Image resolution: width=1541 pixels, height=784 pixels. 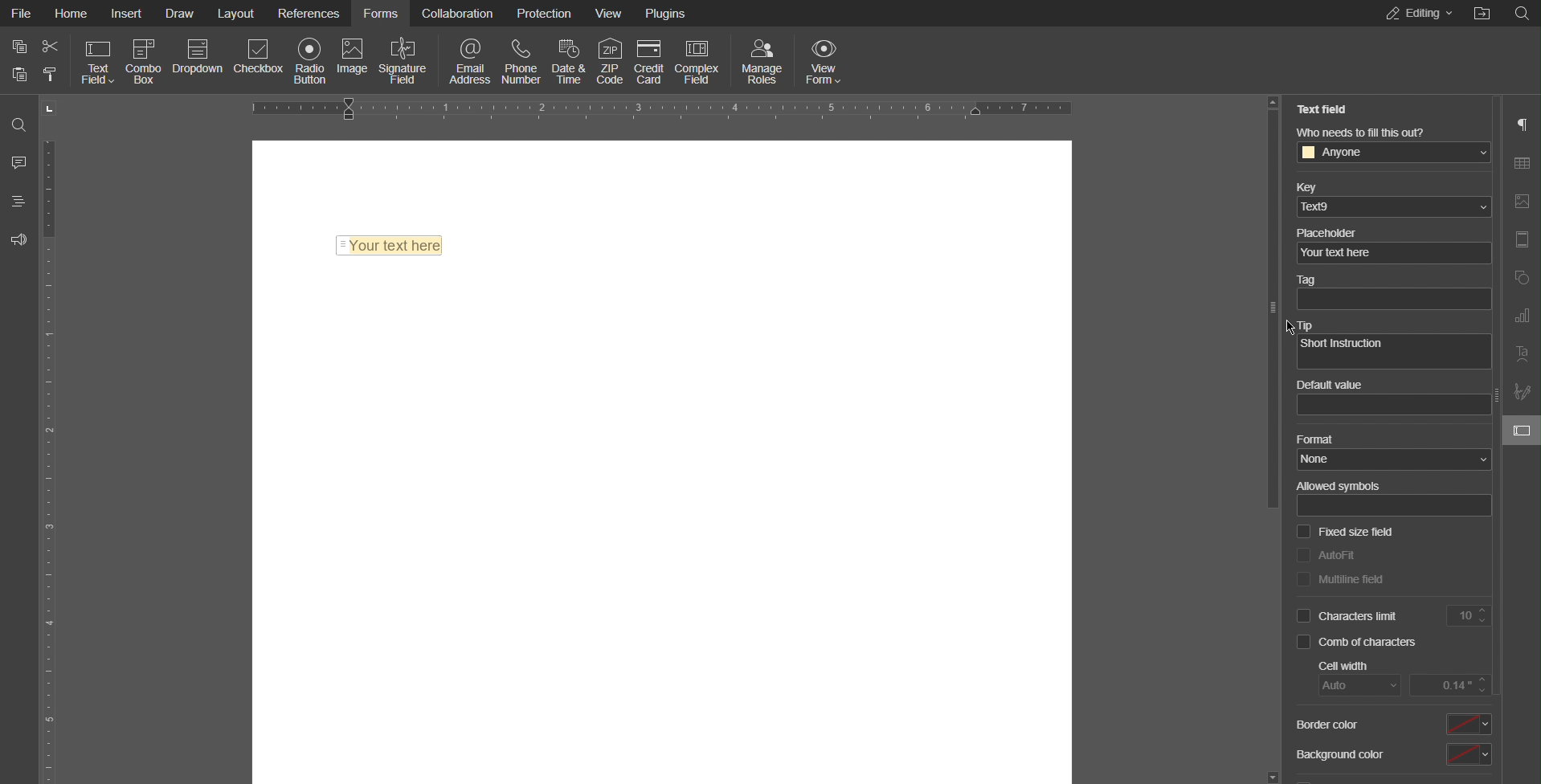 What do you see at coordinates (1321, 108) in the screenshot?
I see `Text Field` at bounding box center [1321, 108].